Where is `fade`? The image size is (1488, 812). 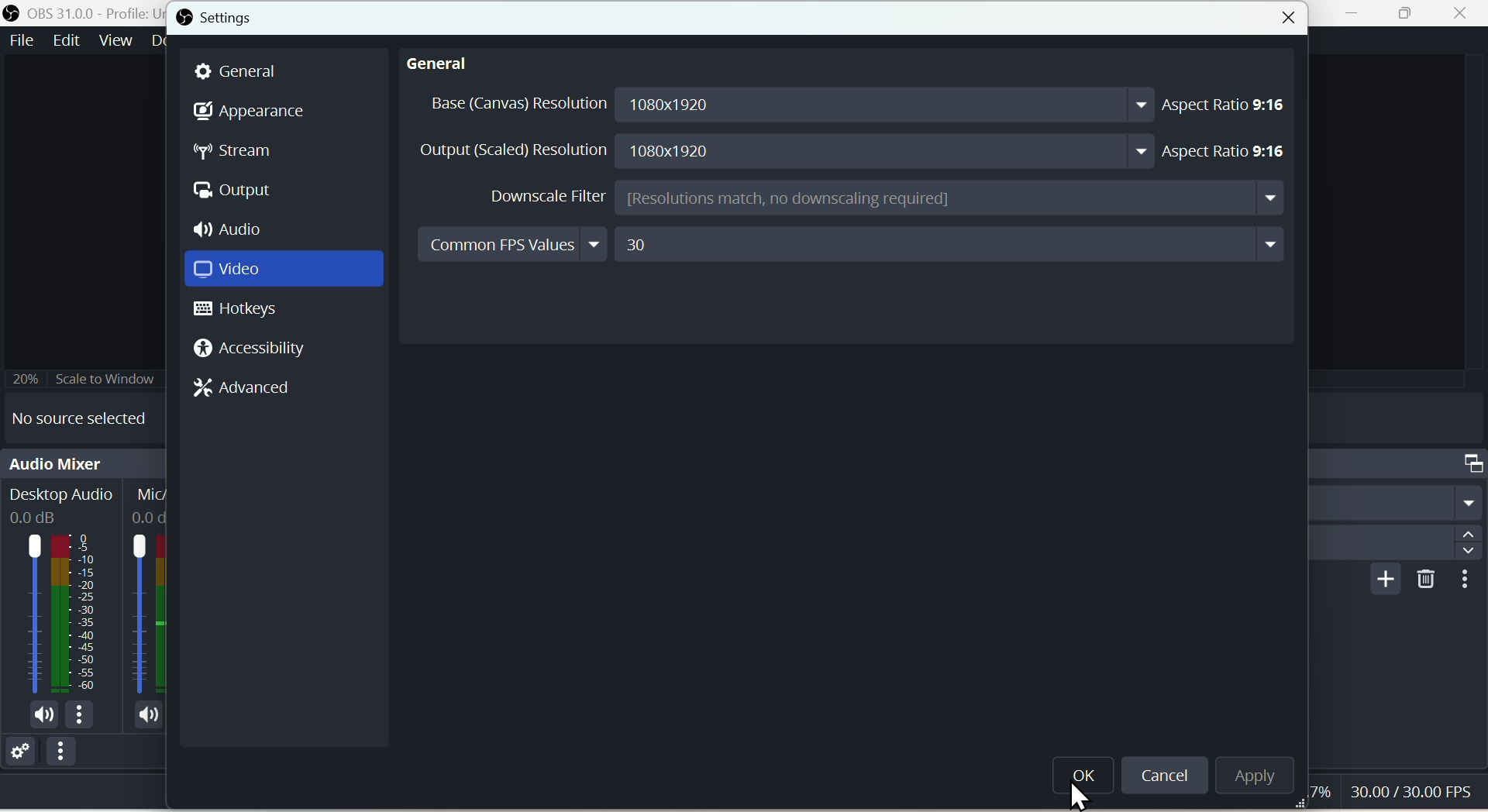 fade is located at coordinates (1397, 502).